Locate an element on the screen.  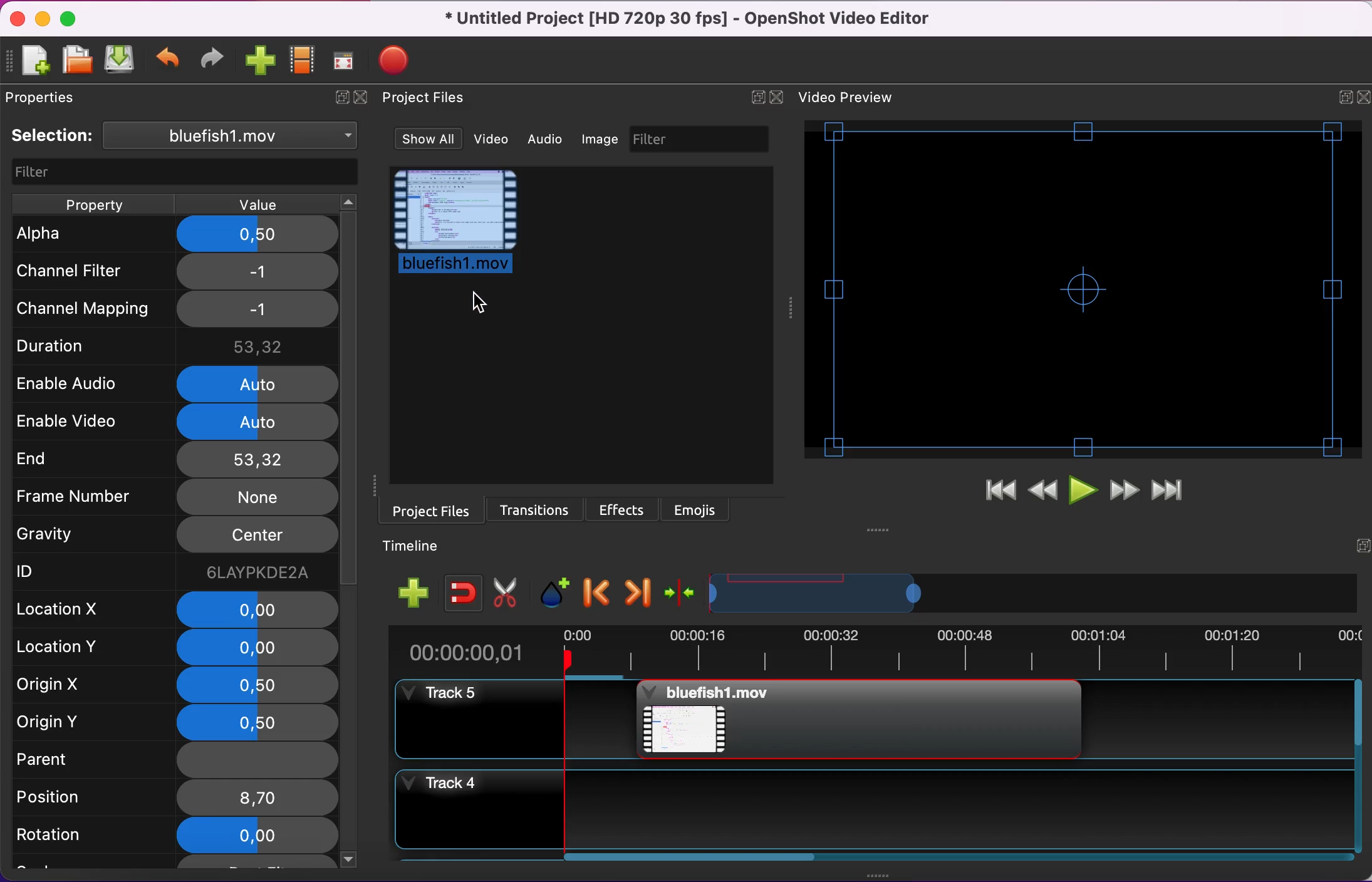
center is located at coordinates (255, 536).